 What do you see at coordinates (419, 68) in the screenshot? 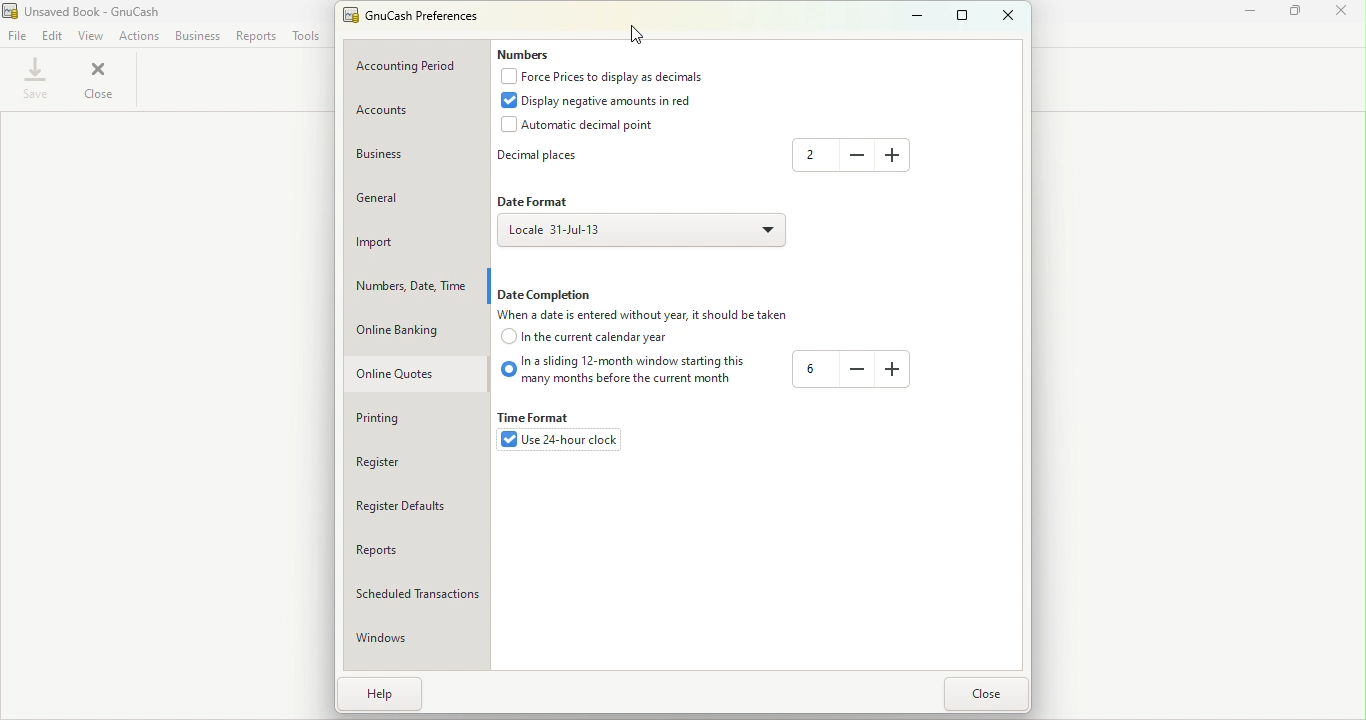
I see `Accounting period` at bounding box center [419, 68].